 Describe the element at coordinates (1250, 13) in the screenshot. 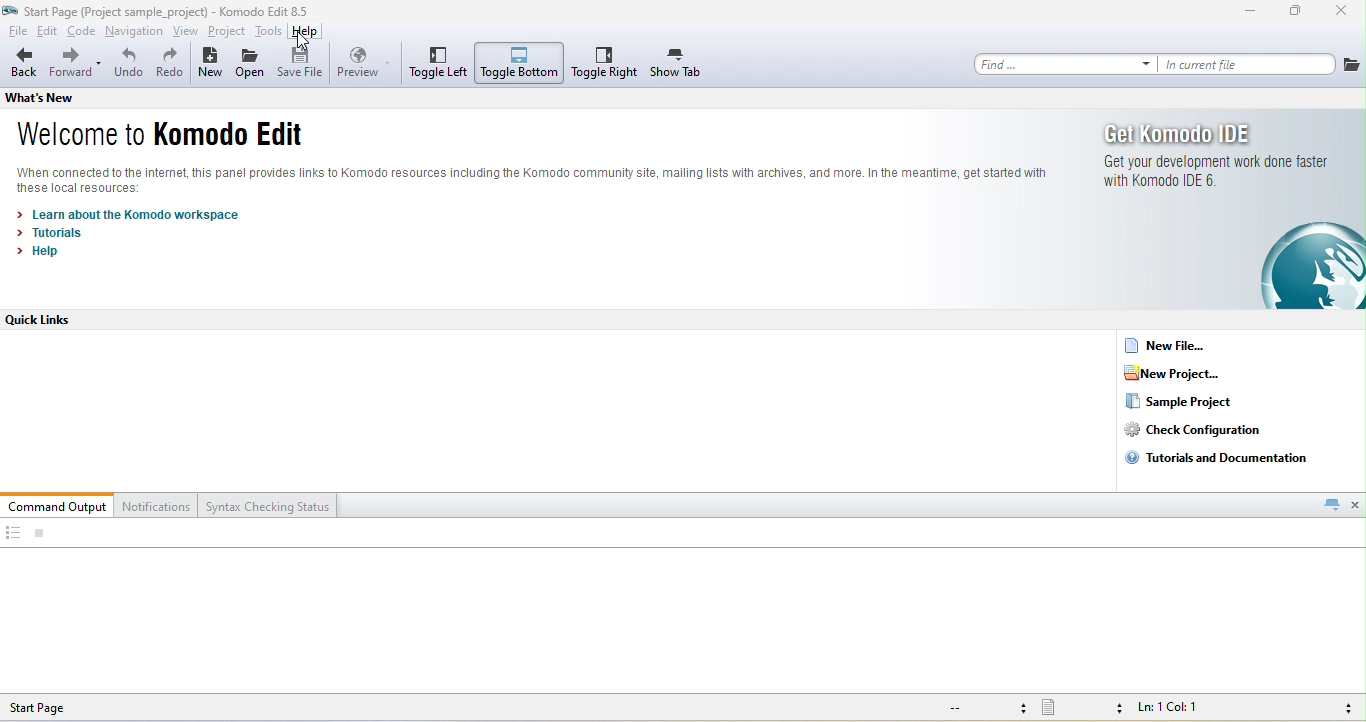

I see `minimize` at that location.